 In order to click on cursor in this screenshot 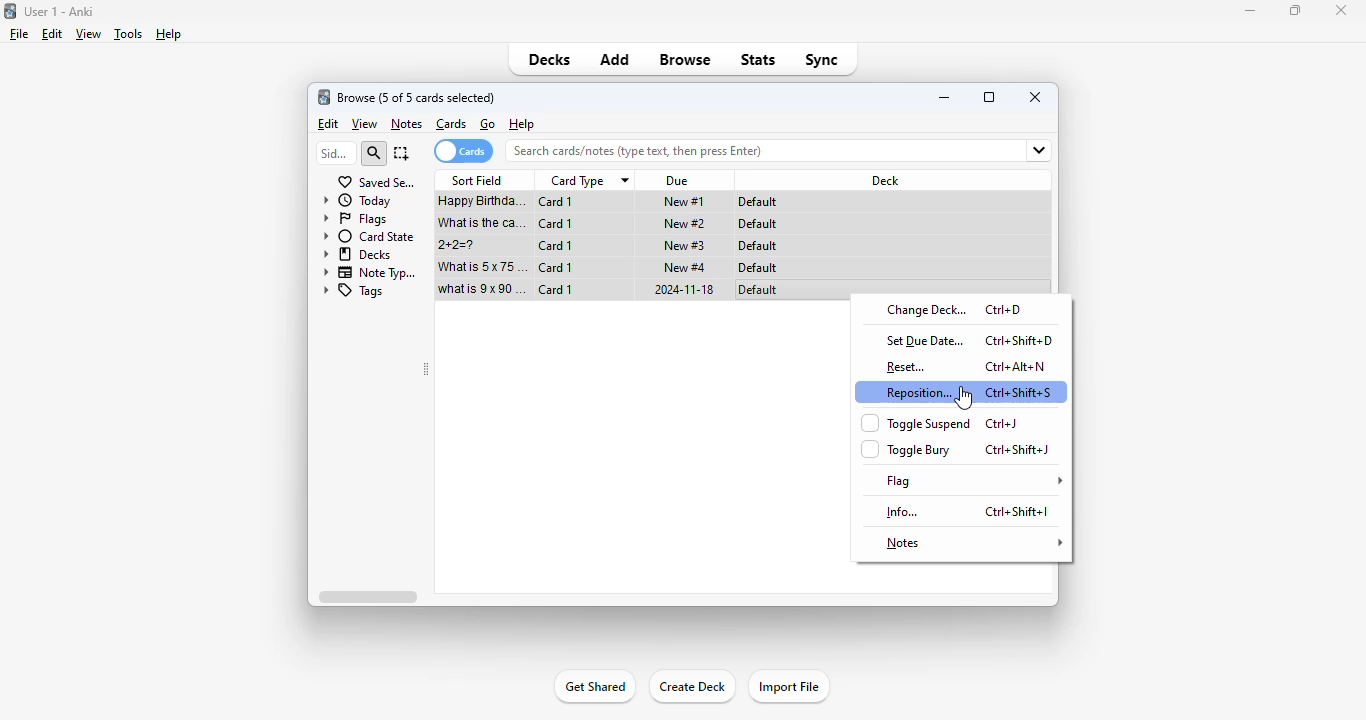, I will do `click(963, 398)`.